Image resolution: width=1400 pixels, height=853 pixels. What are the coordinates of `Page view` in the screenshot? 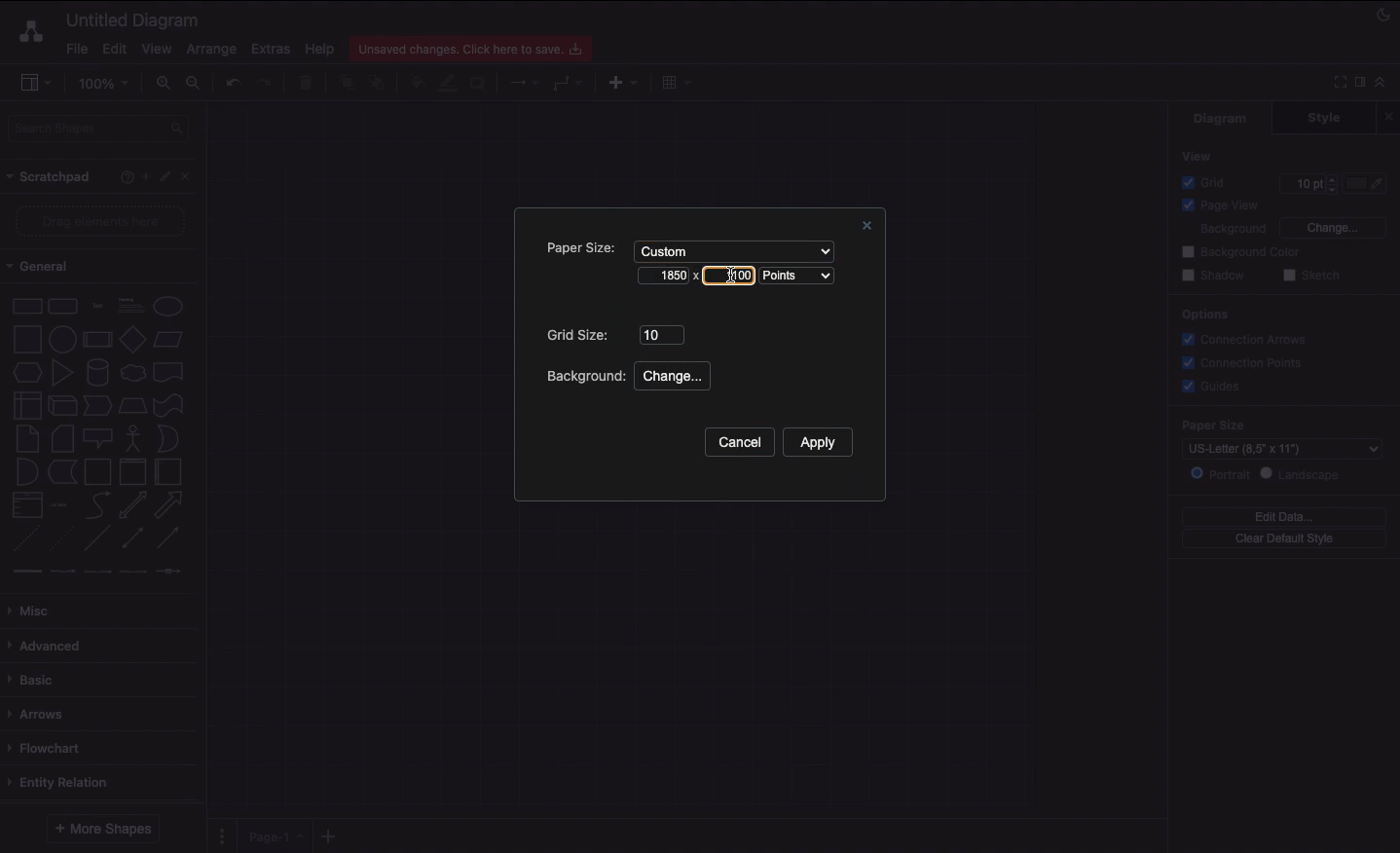 It's located at (1217, 206).